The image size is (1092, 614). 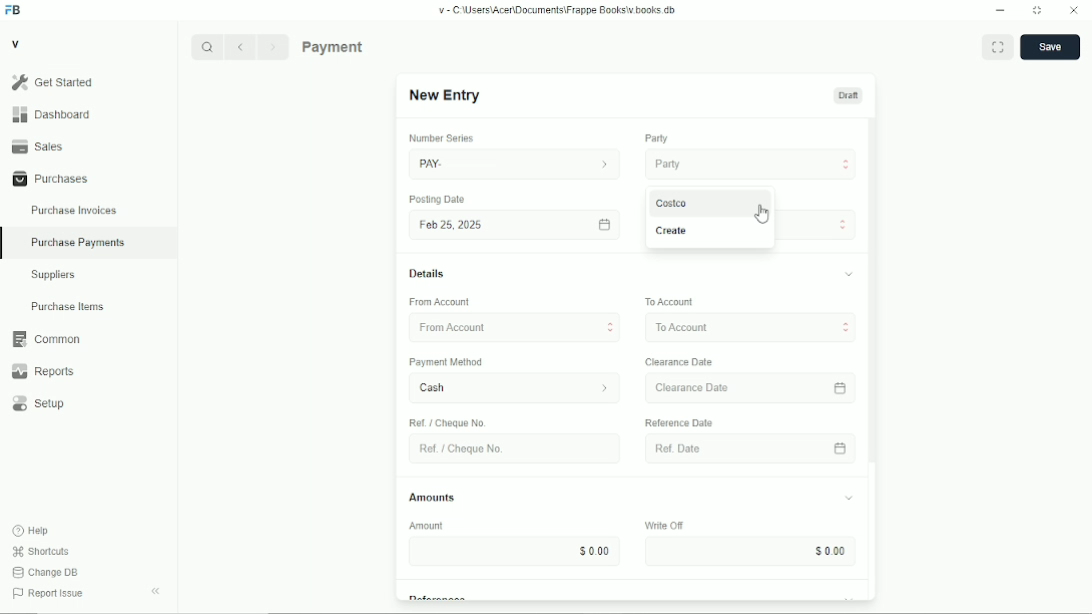 What do you see at coordinates (1074, 10) in the screenshot?
I see `Close` at bounding box center [1074, 10].